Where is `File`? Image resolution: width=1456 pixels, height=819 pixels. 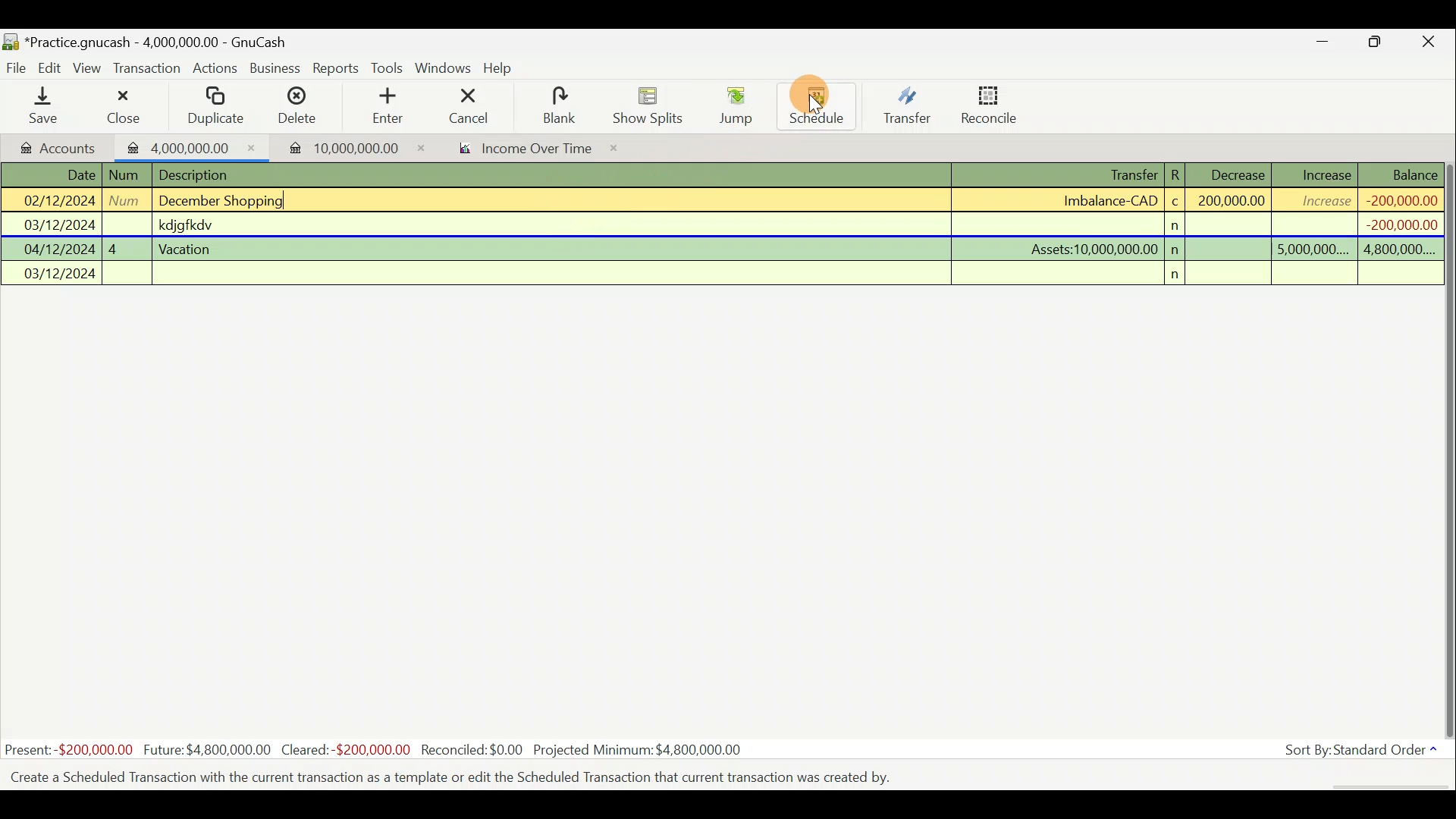 File is located at coordinates (17, 68).